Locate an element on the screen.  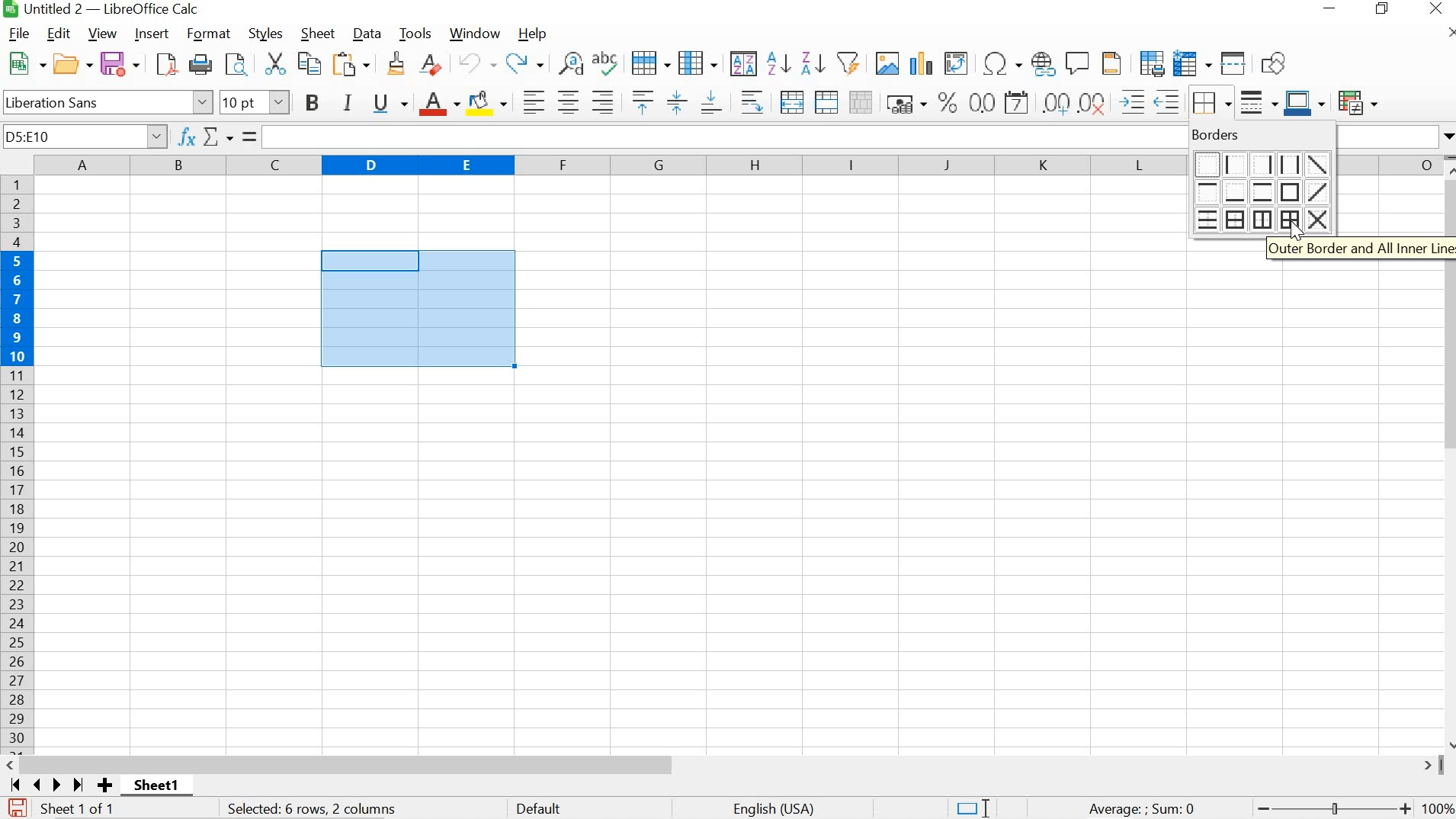
headers and footers is located at coordinates (1112, 64).